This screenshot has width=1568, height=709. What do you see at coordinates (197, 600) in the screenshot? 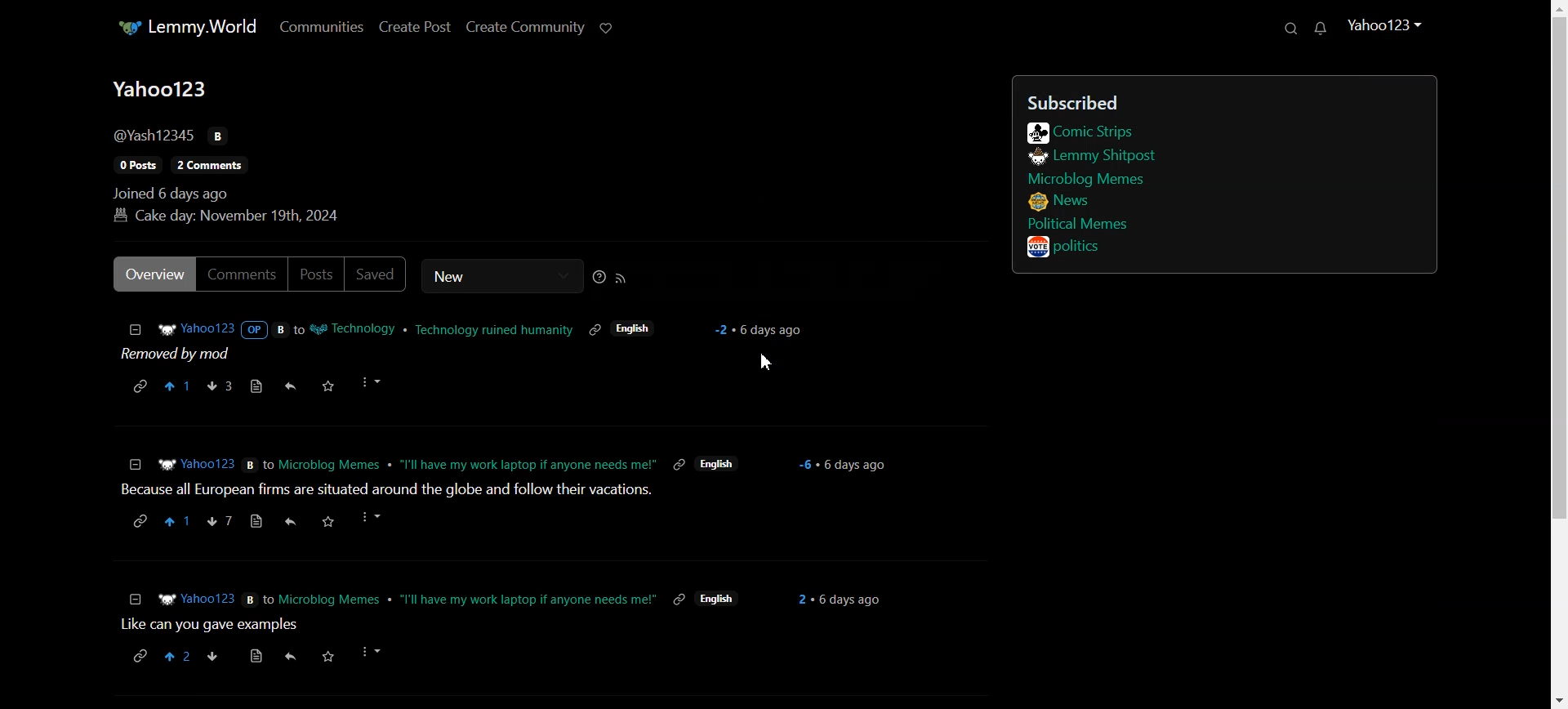
I see `yahoo123` at bounding box center [197, 600].